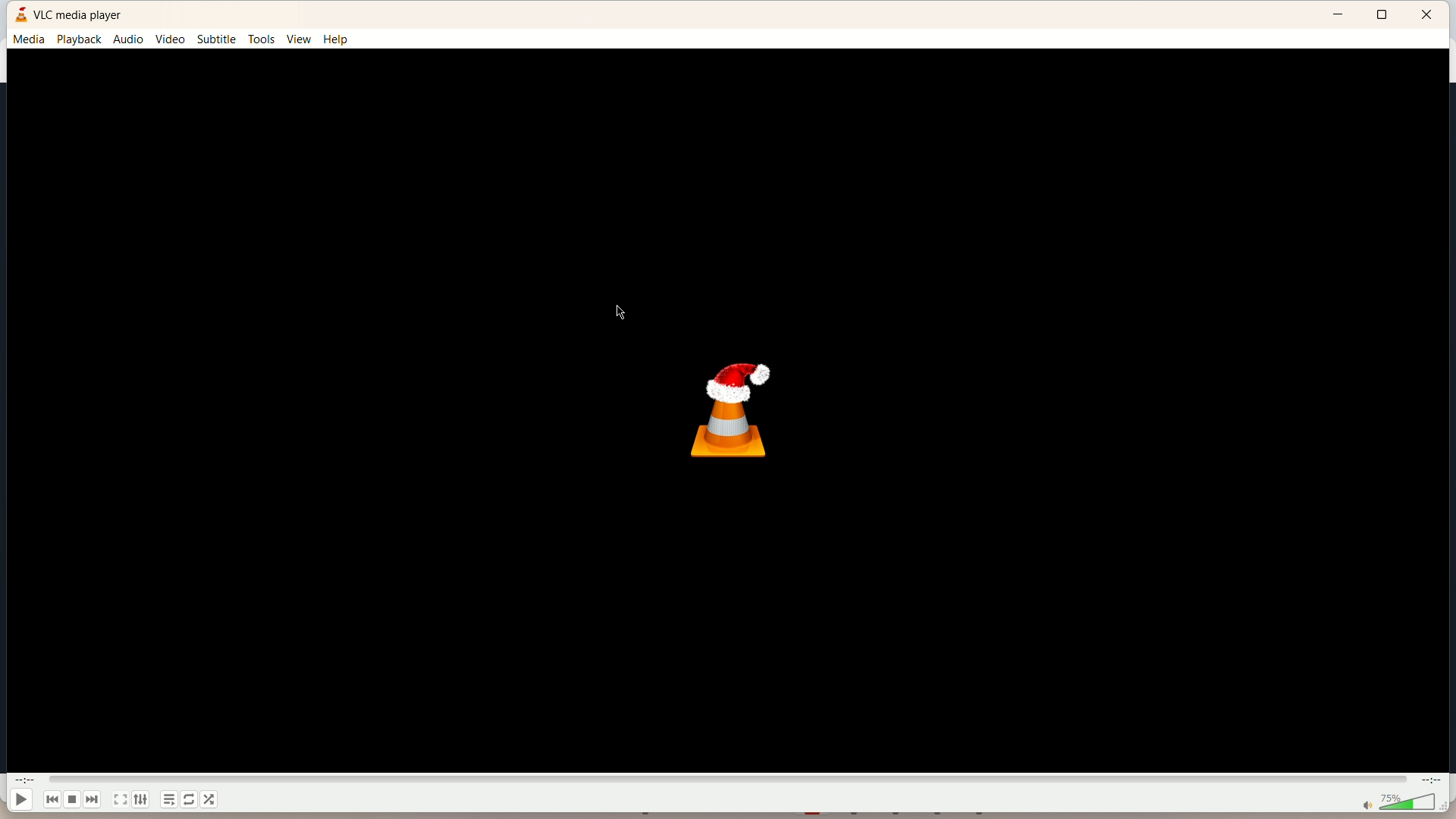 This screenshot has width=1456, height=819. Describe the element at coordinates (1401, 804) in the screenshot. I see `volume bar` at that location.